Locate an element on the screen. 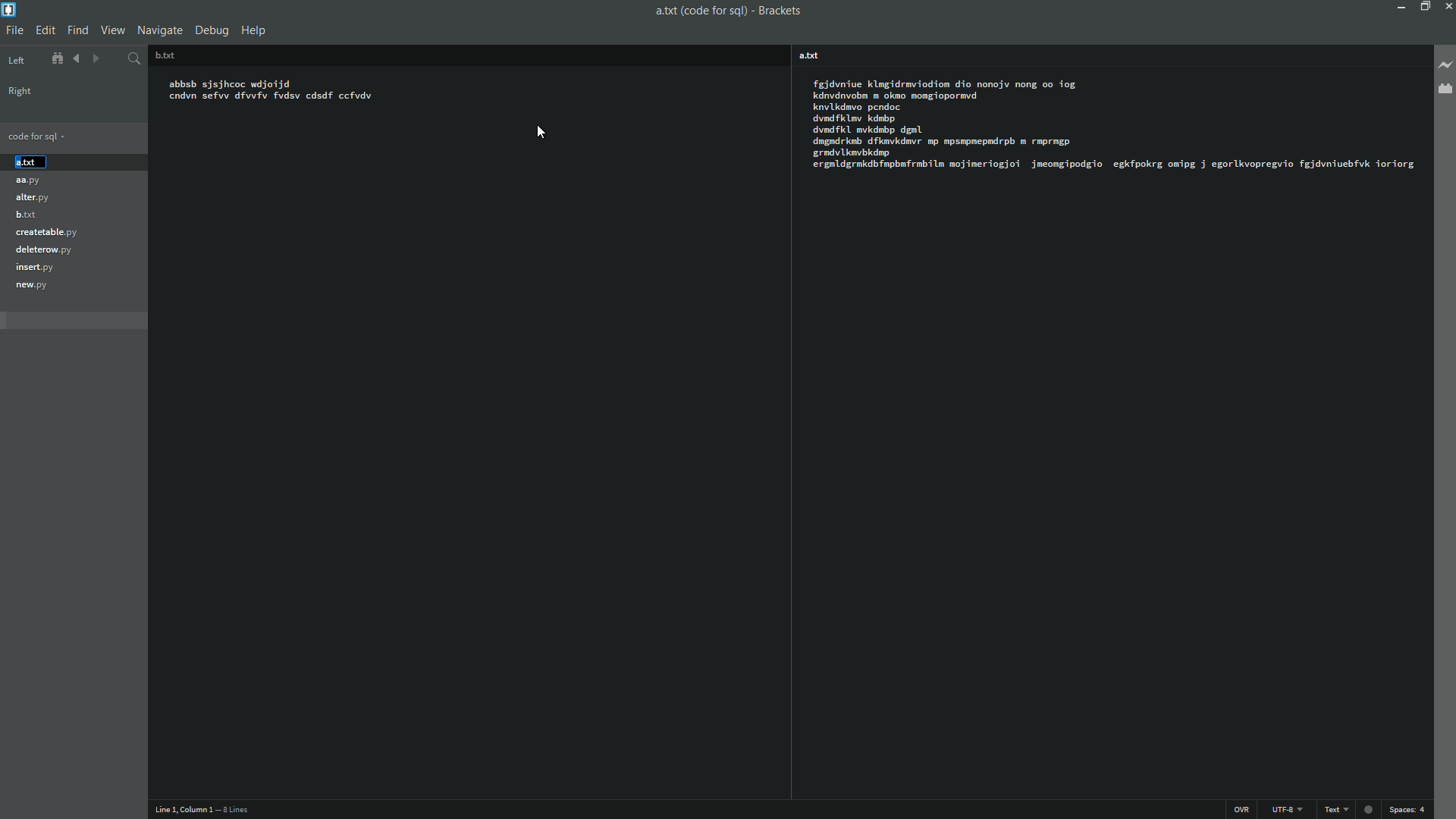  cursor is located at coordinates (542, 134).